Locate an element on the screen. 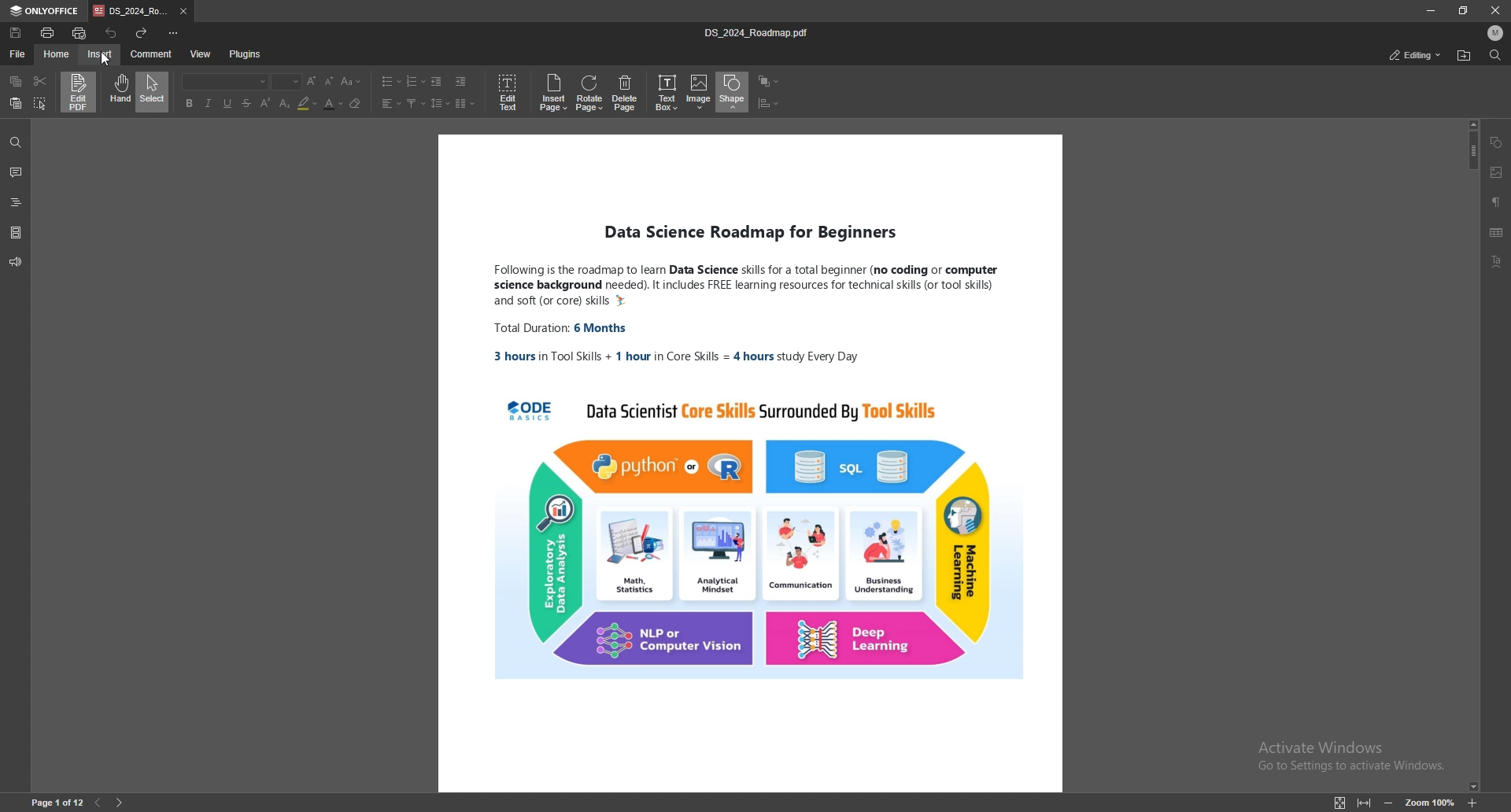 The width and height of the screenshot is (1511, 812). page number is located at coordinates (57, 803).